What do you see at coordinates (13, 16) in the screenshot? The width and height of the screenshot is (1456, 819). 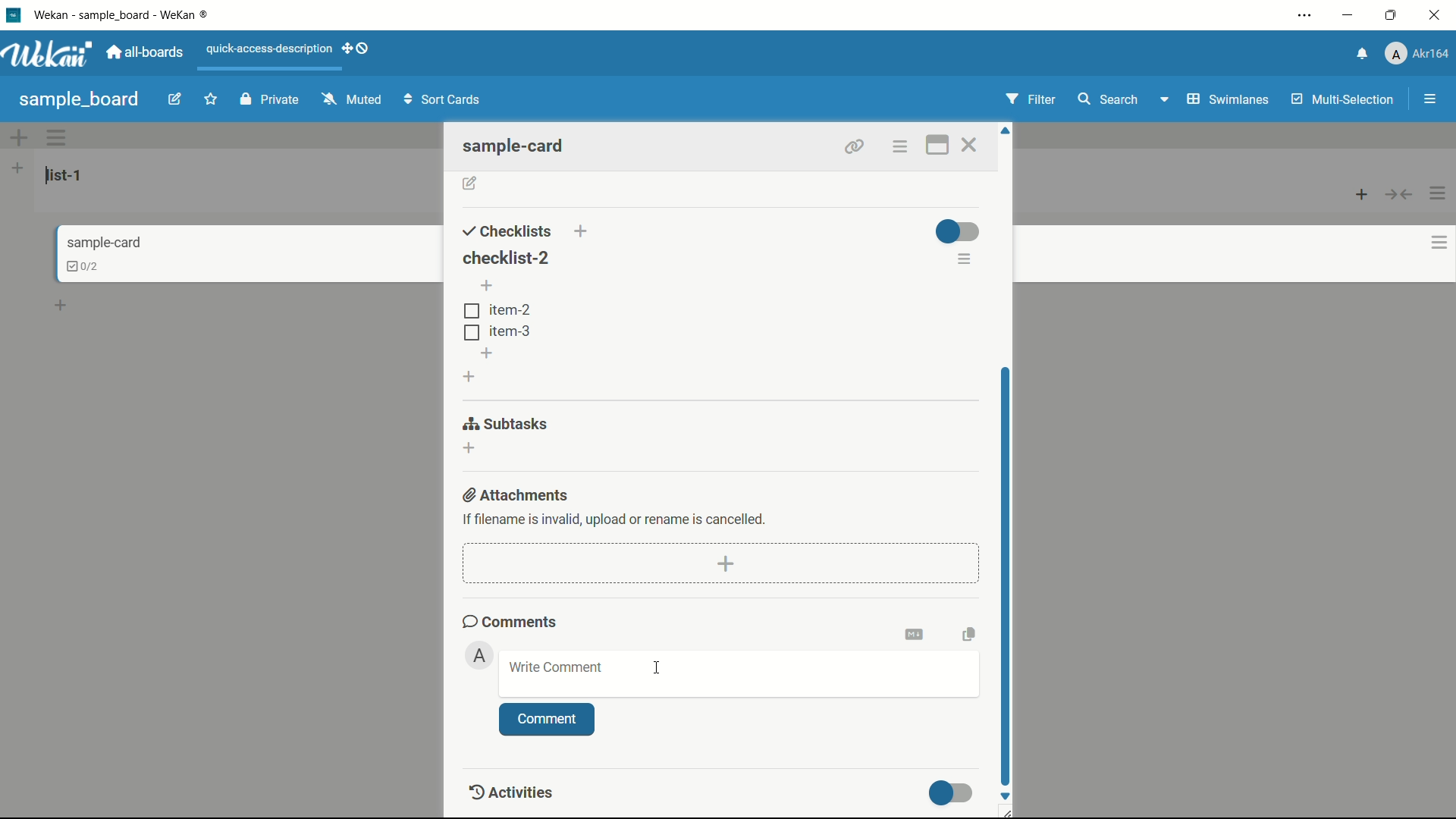 I see `app icon` at bounding box center [13, 16].